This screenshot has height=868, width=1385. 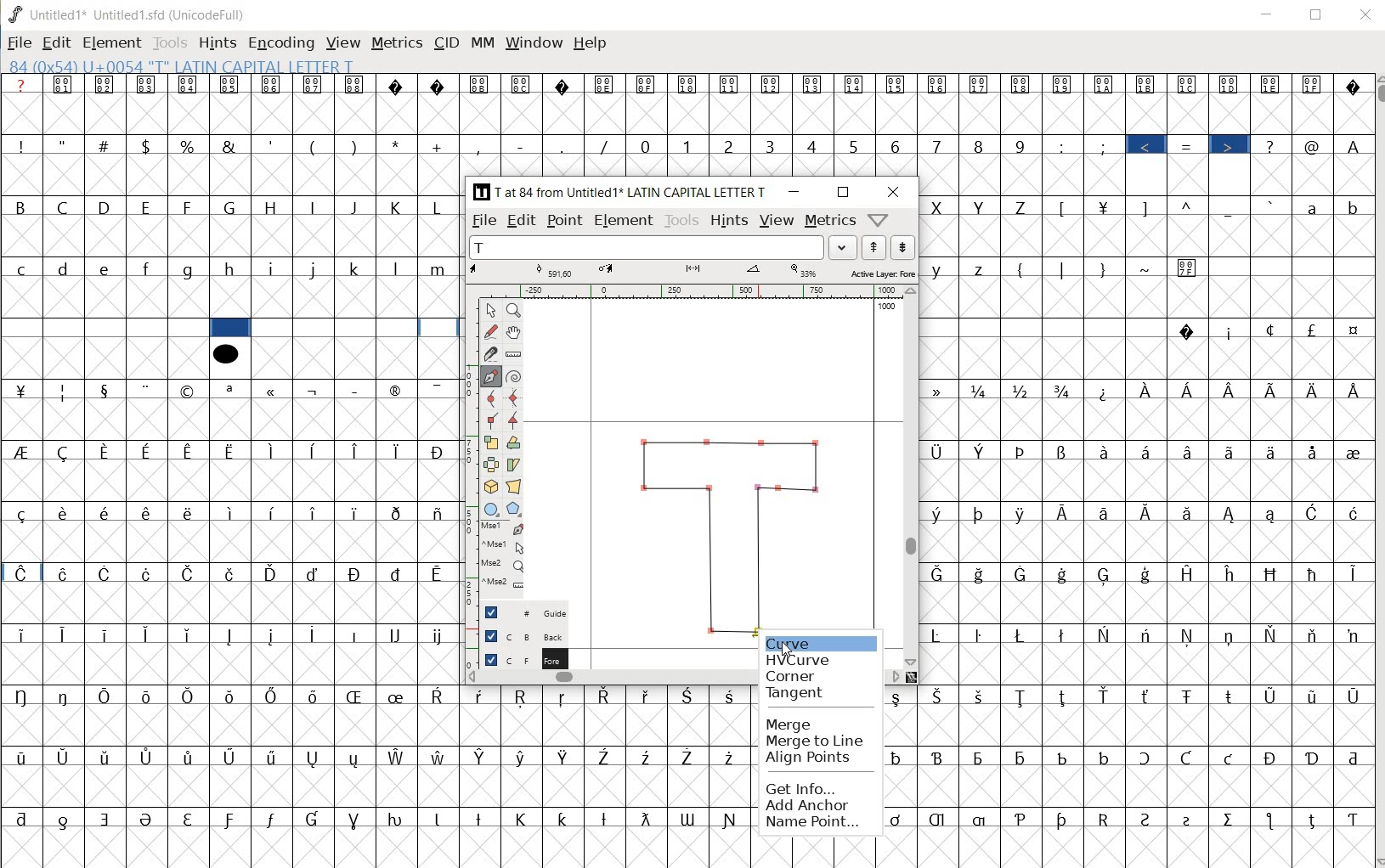 What do you see at coordinates (1230, 694) in the screenshot?
I see `Symbol` at bounding box center [1230, 694].